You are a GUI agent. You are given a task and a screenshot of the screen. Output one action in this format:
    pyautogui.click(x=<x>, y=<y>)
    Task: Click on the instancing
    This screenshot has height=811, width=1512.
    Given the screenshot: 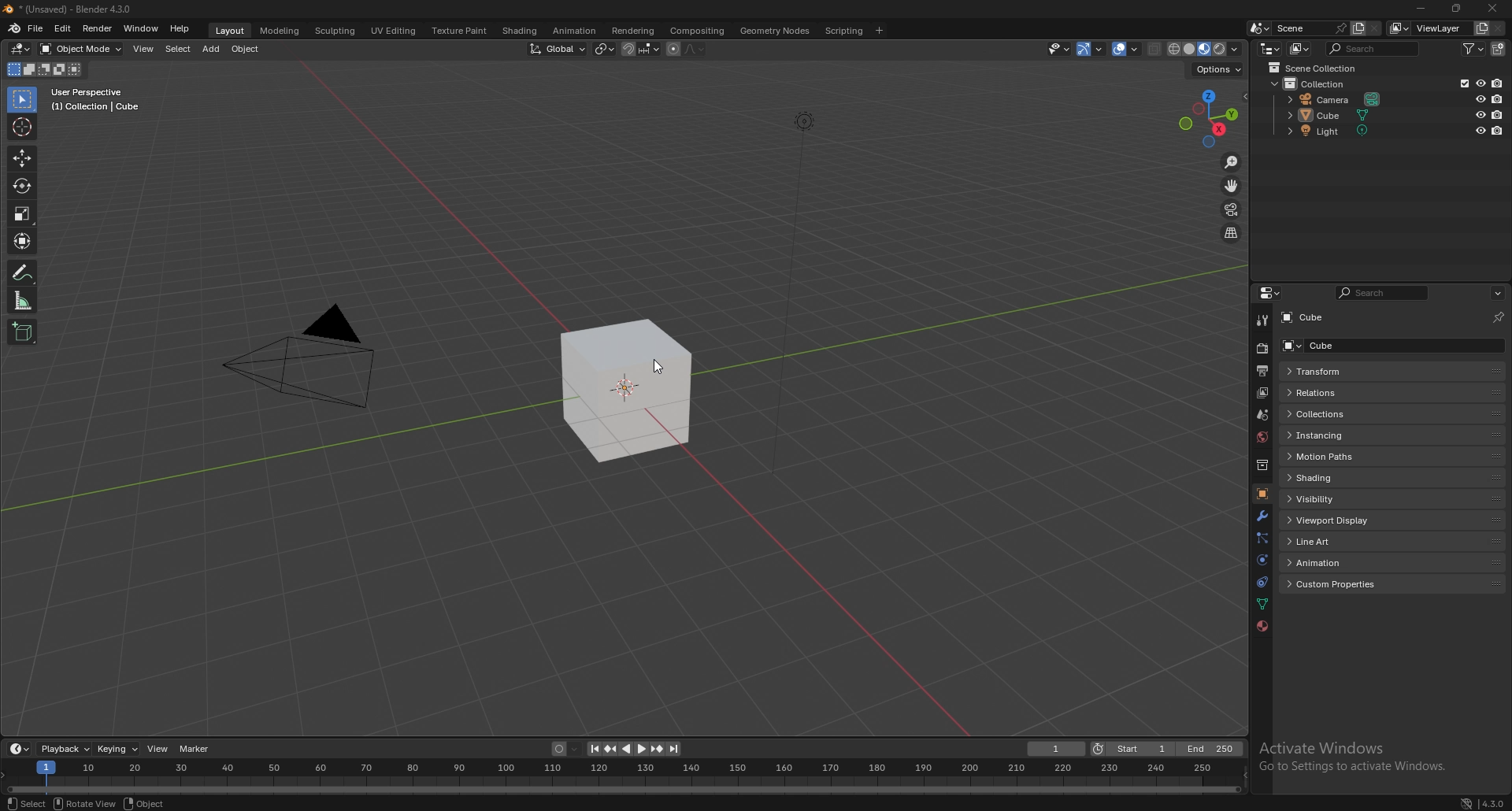 What is the action you would take?
    pyautogui.click(x=1339, y=436)
    